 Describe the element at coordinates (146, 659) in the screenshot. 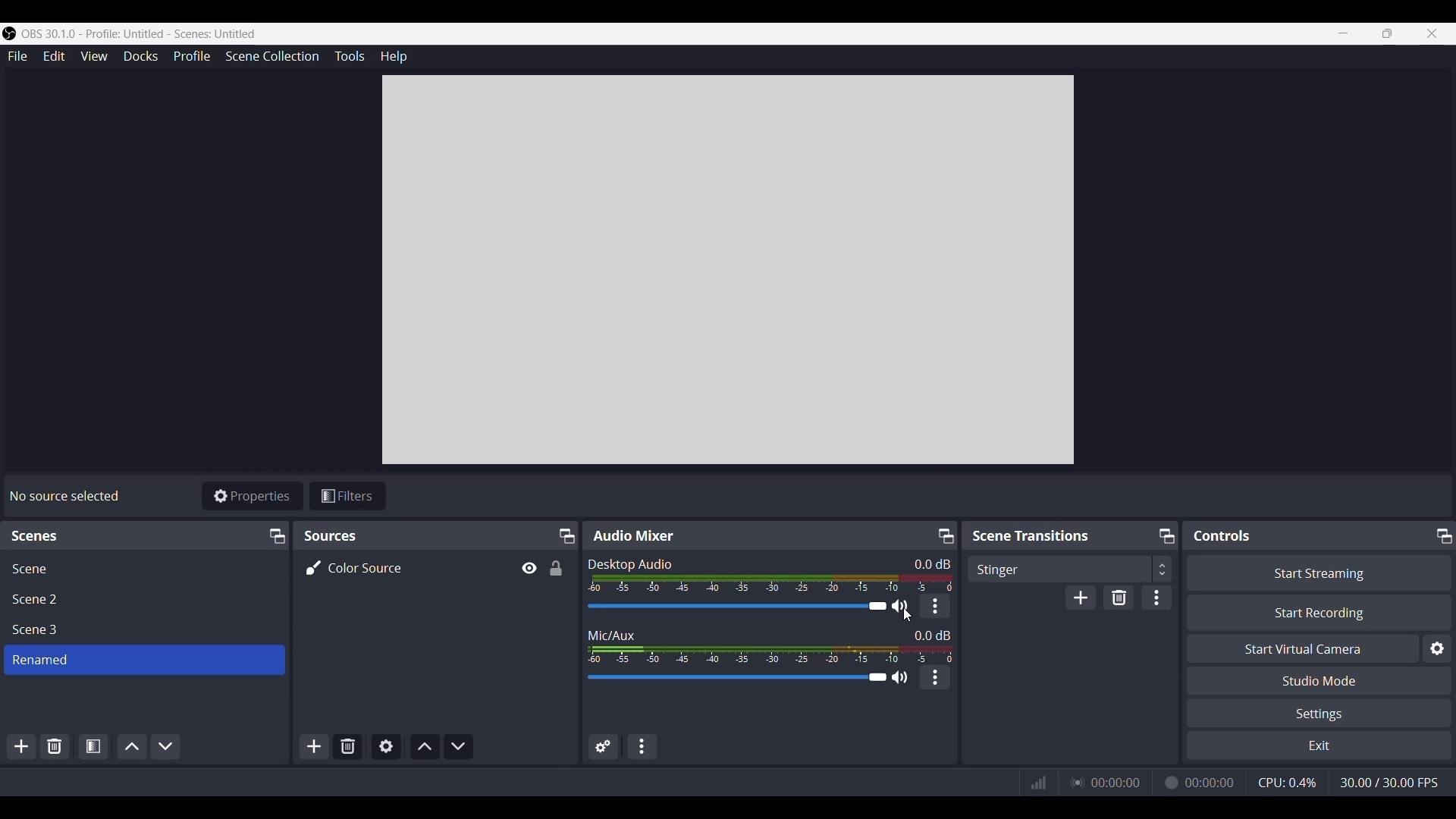

I see `Current scene` at that location.